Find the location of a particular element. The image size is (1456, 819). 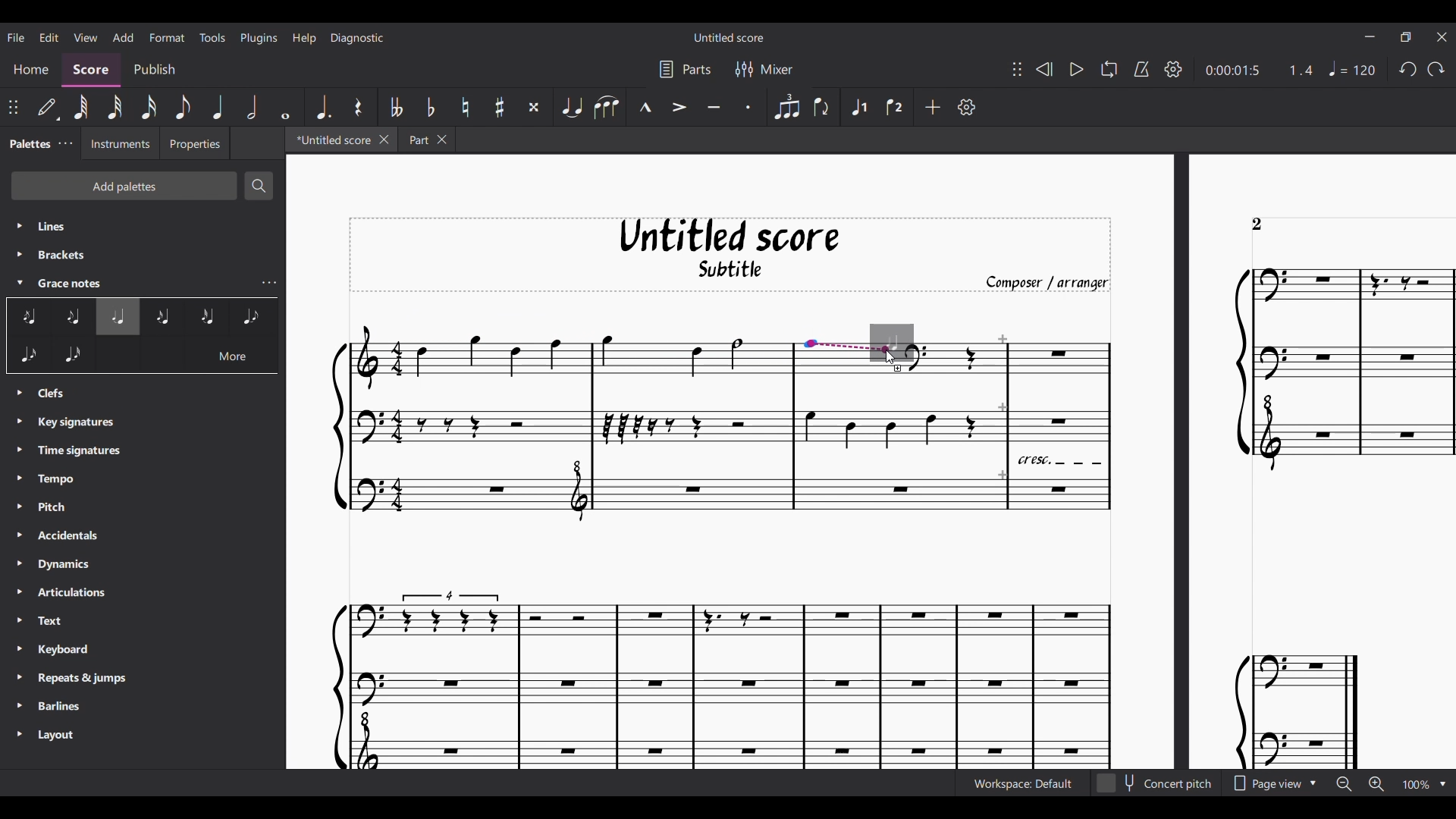

Indicates selected grace note is located at coordinates (902, 344).